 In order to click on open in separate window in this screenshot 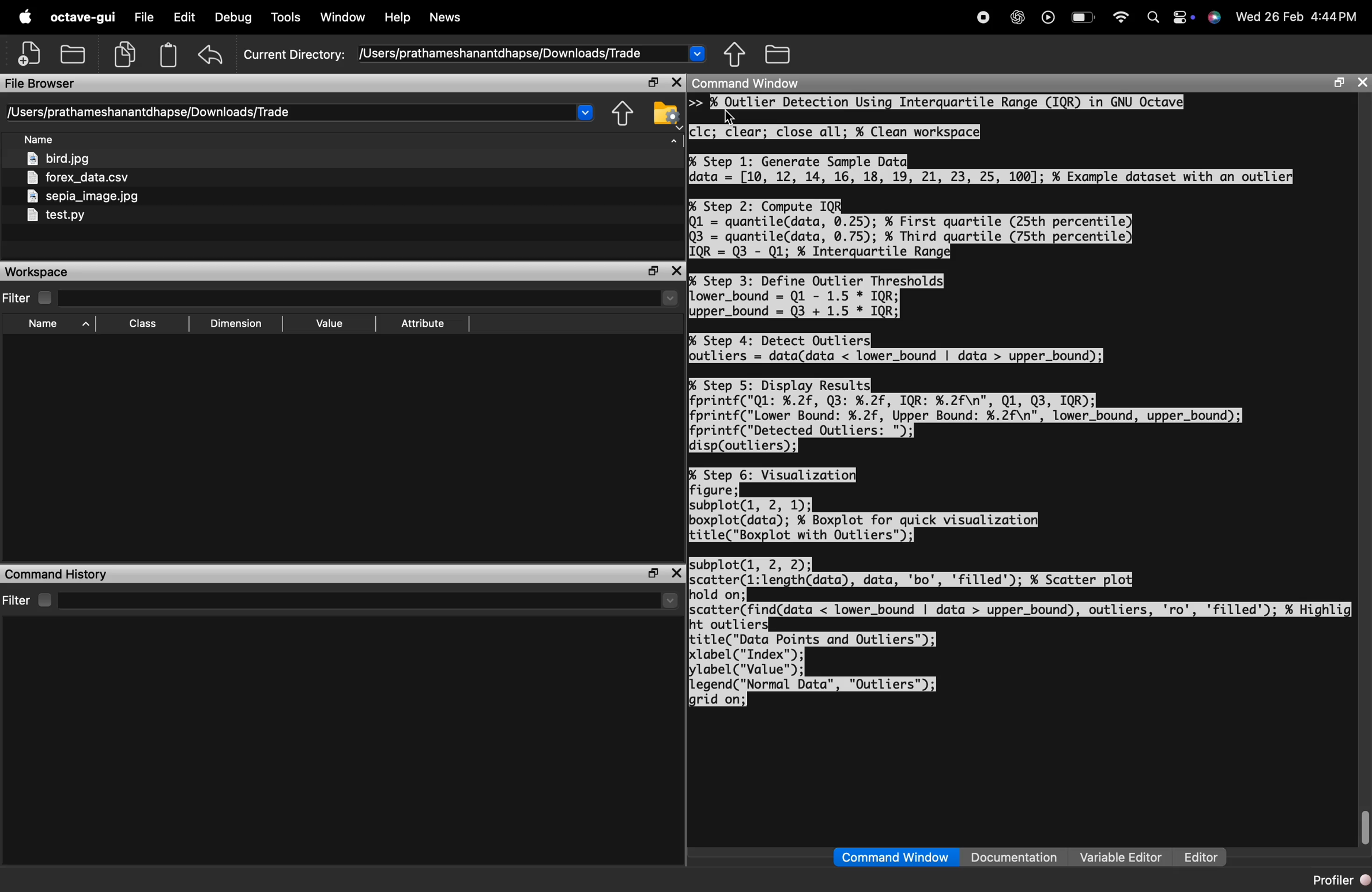, I will do `click(654, 82)`.